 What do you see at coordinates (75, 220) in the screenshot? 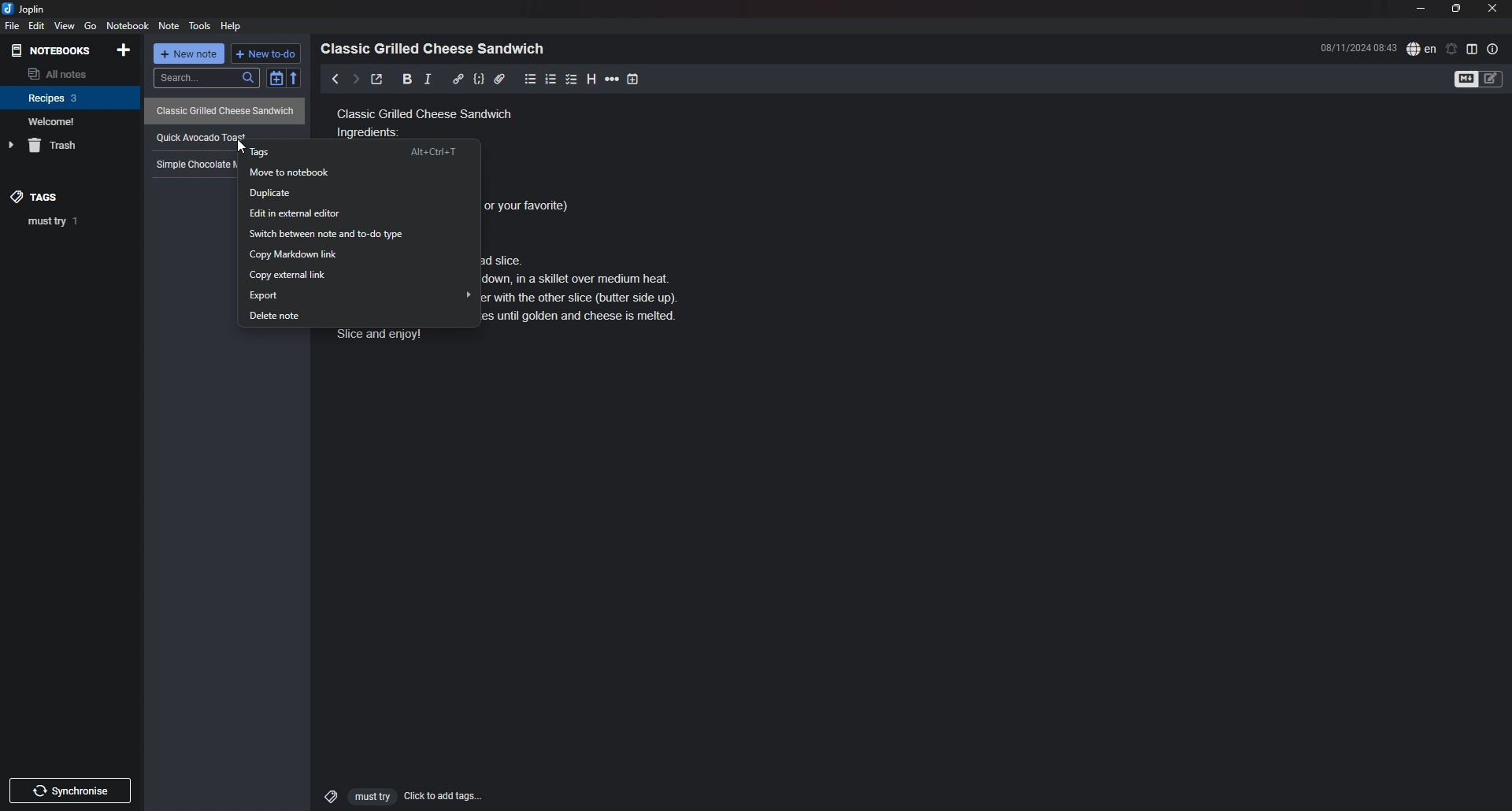
I see `tag` at bounding box center [75, 220].